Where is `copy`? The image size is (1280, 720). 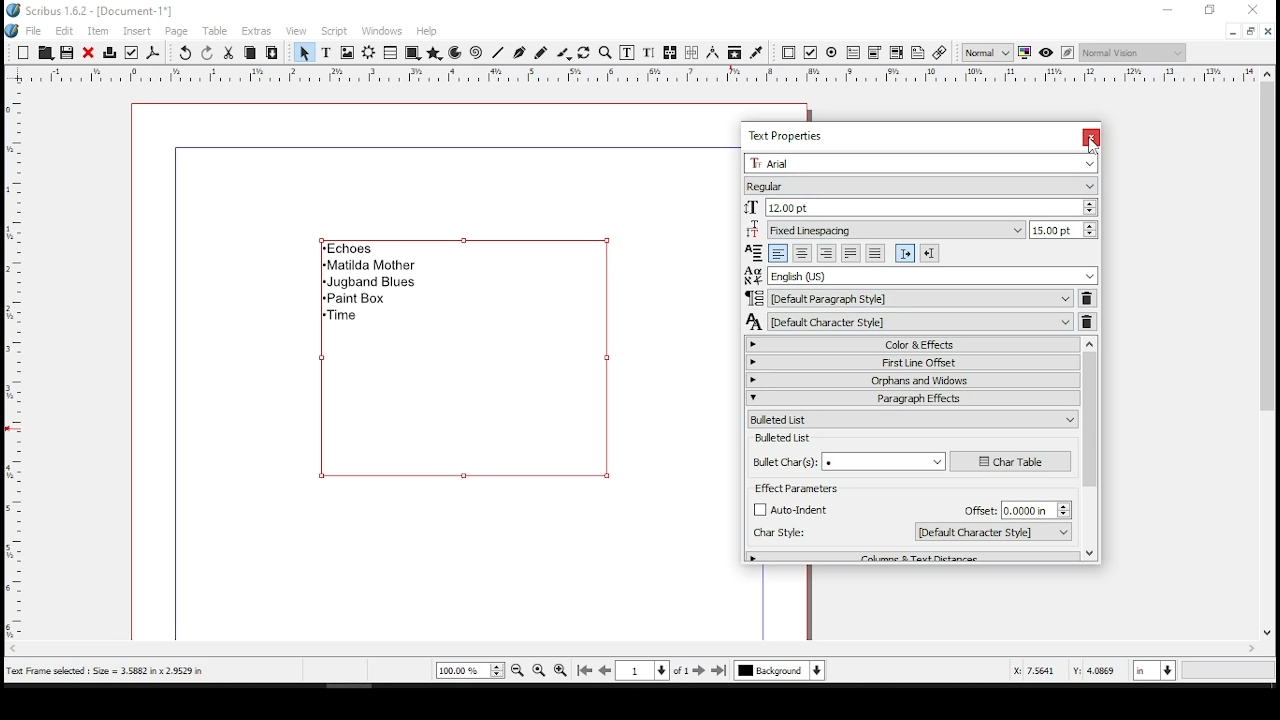
copy is located at coordinates (251, 52).